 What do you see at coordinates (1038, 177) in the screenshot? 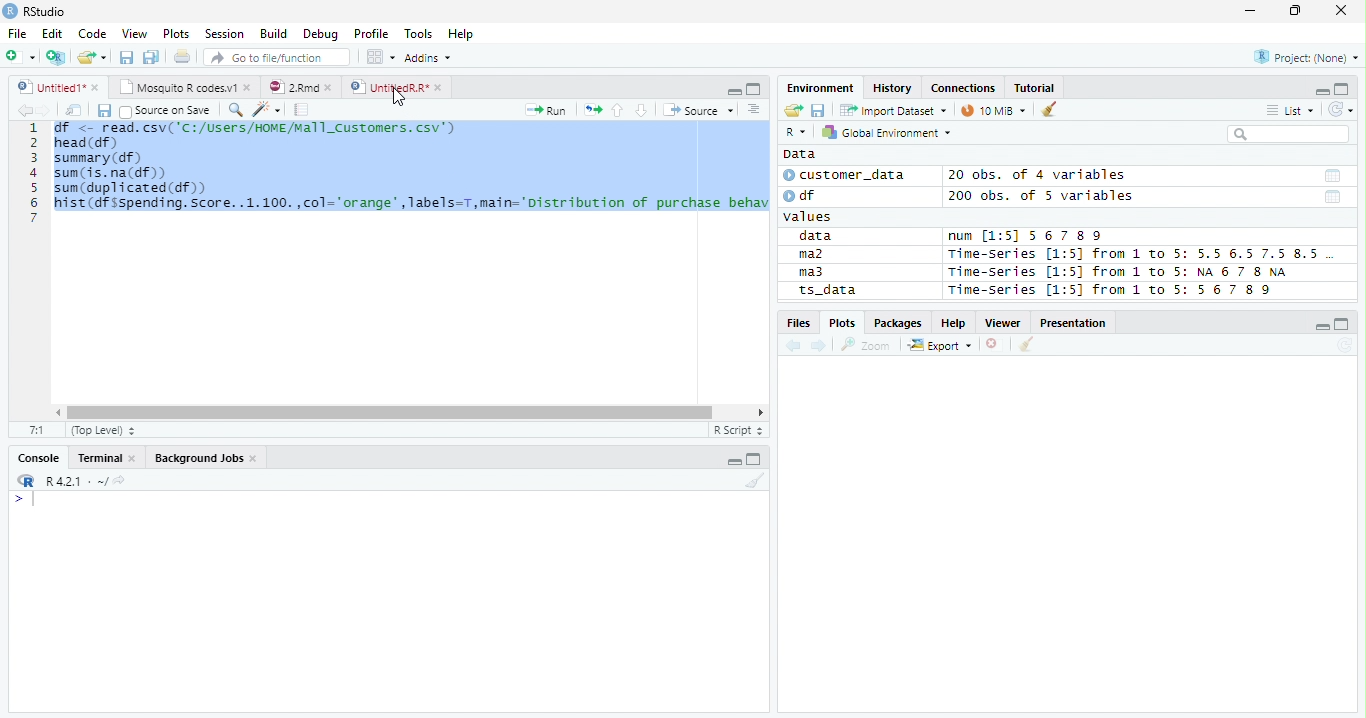
I see `20 obs. of 4 variables` at bounding box center [1038, 177].